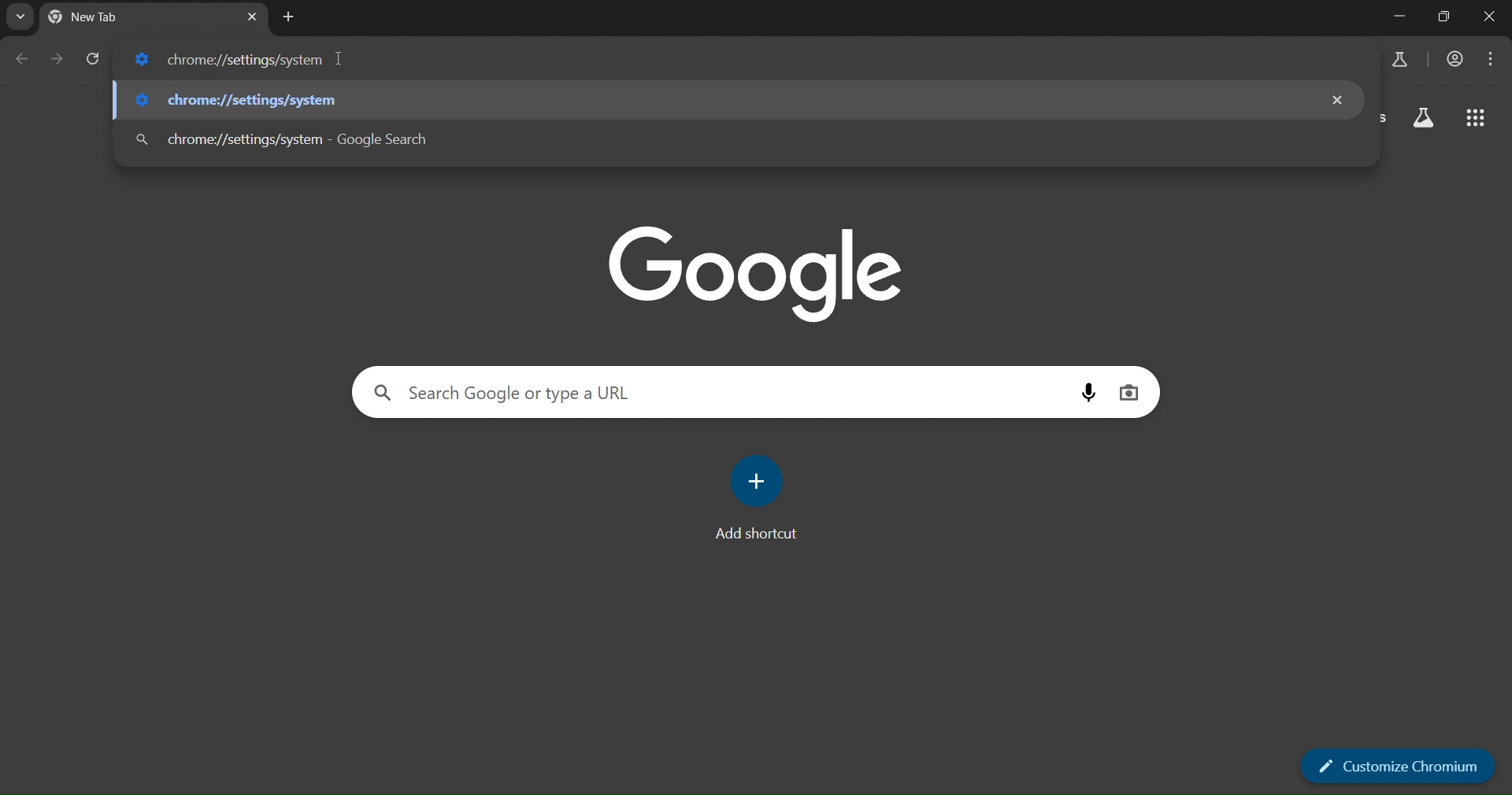 This screenshot has height=795, width=1512. Describe the element at coordinates (94, 56) in the screenshot. I see `reload page` at that location.